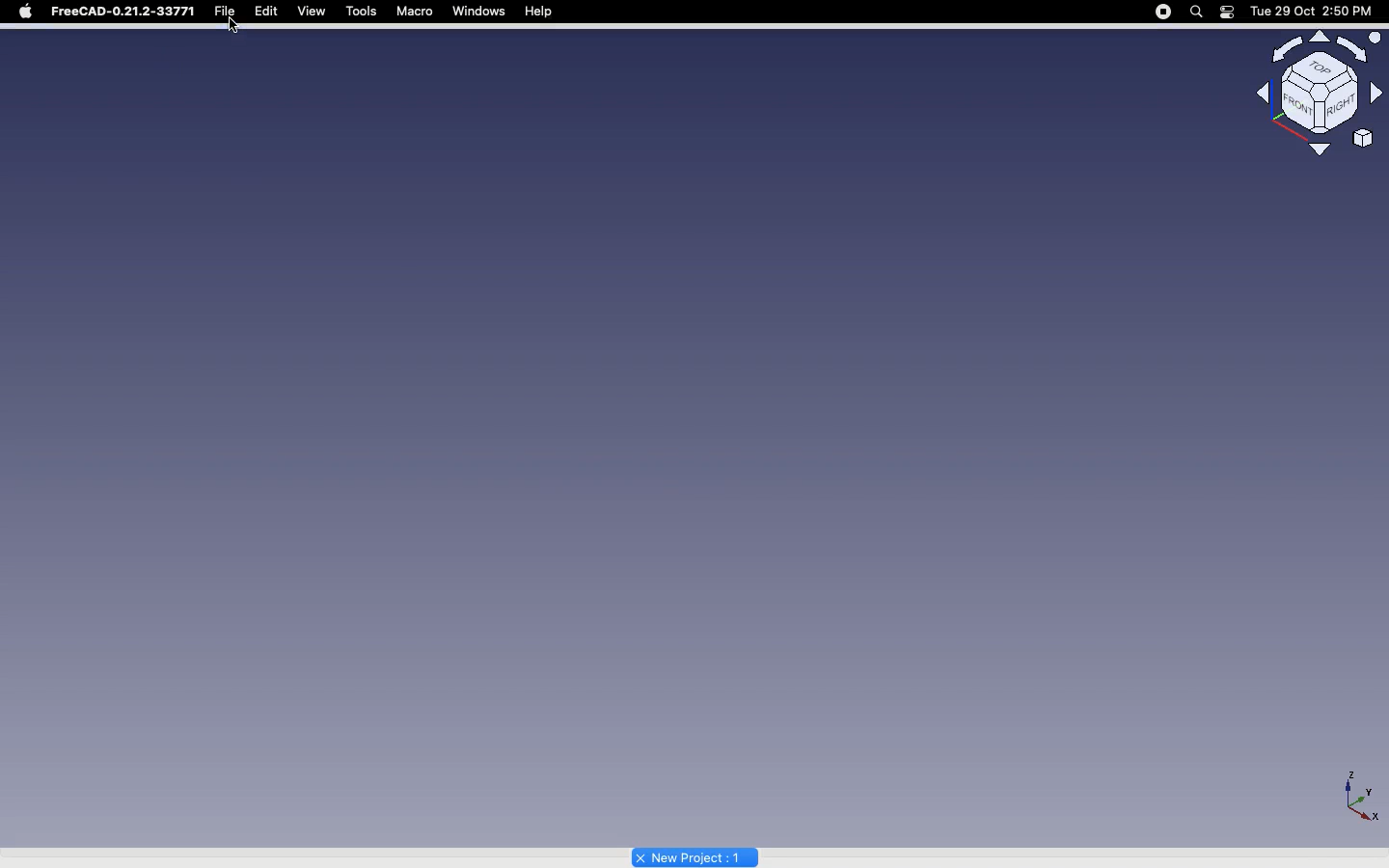 The width and height of the screenshot is (1389, 868). Describe the element at coordinates (1227, 13) in the screenshot. I see `Notification` at that location.